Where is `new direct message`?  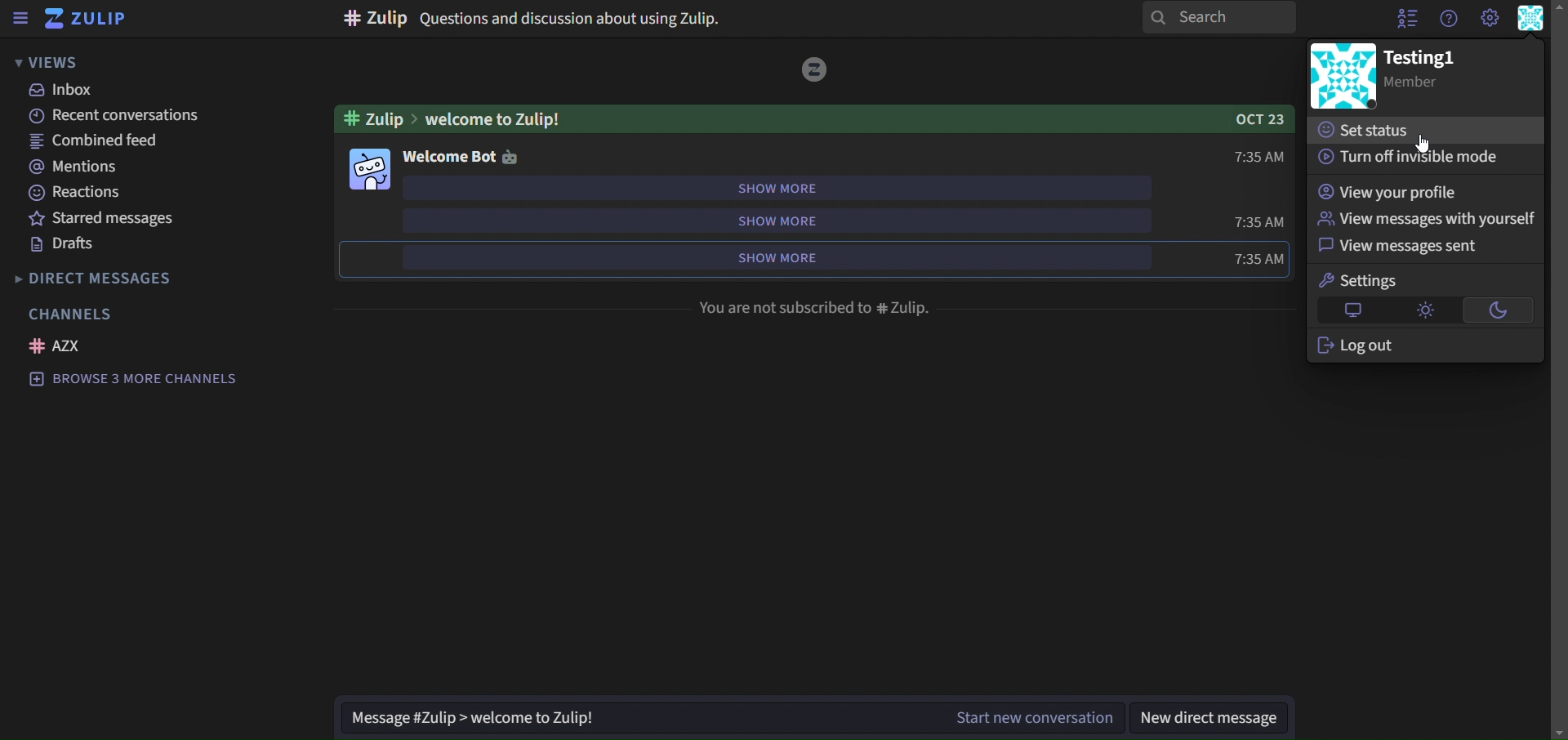
new direct message is located at coordinates (1214, 708).